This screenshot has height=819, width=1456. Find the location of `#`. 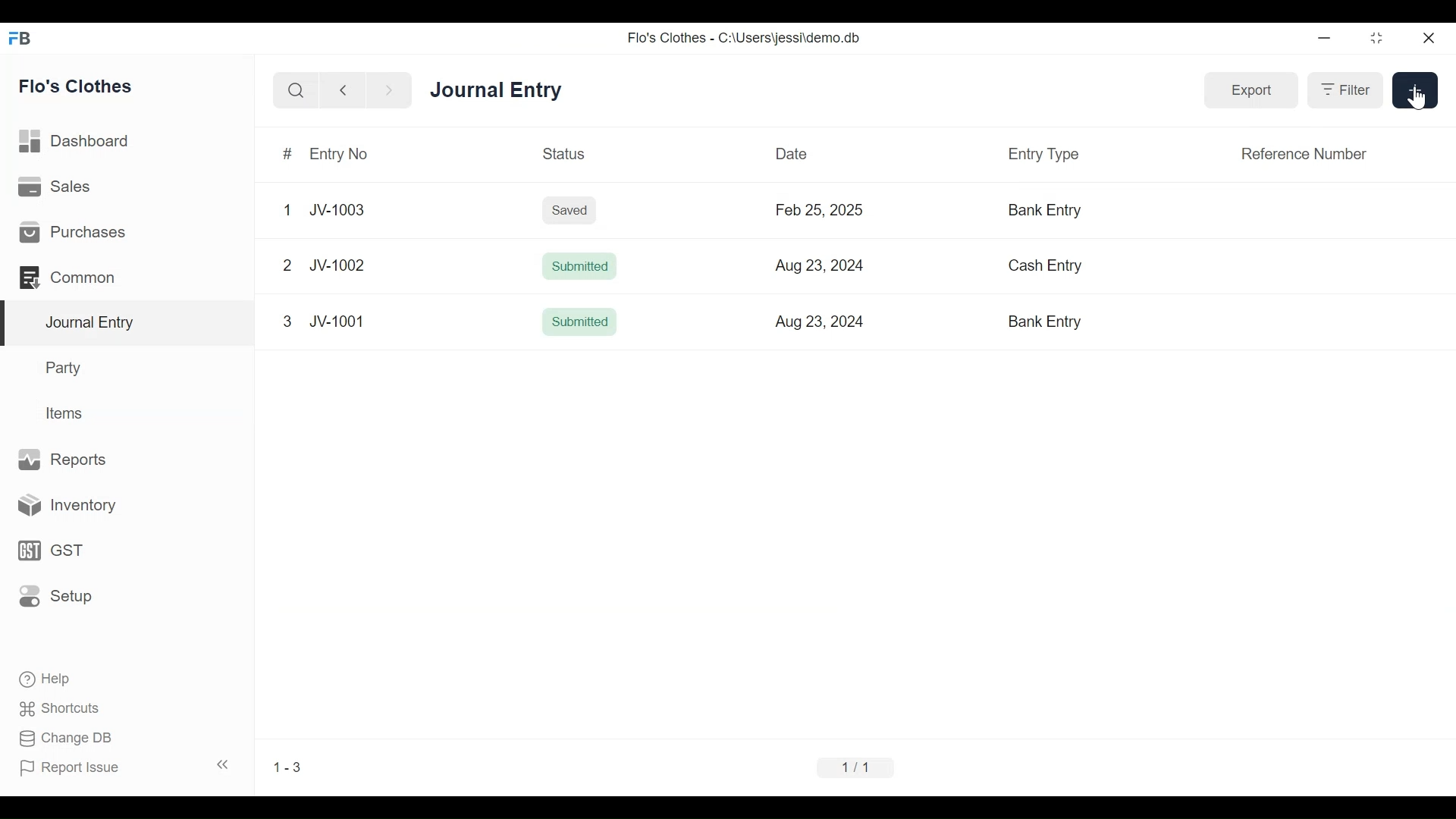

# is located at coordinates (287, 152).